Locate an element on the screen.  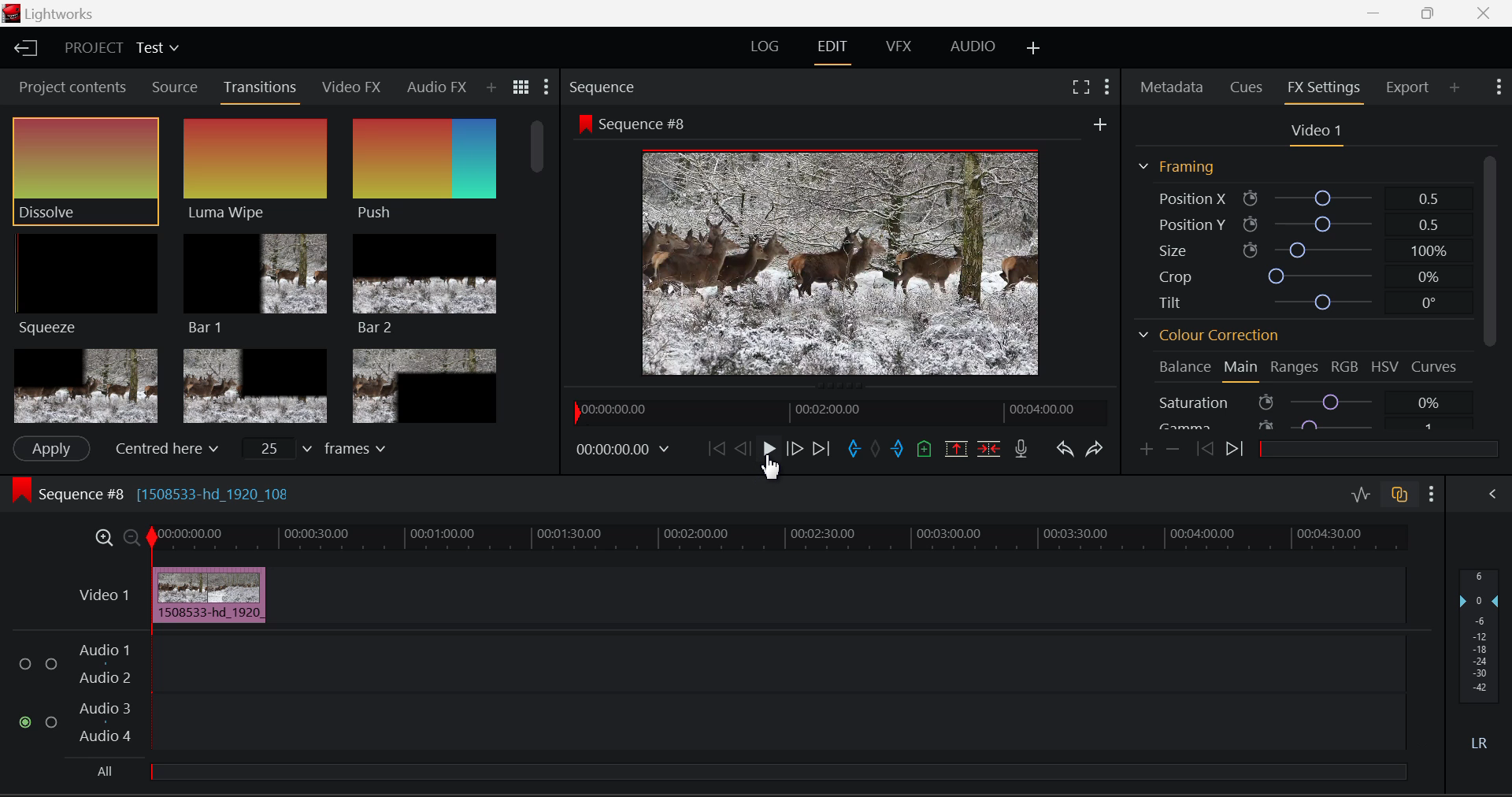
Source is located at coordinates (176, 87).